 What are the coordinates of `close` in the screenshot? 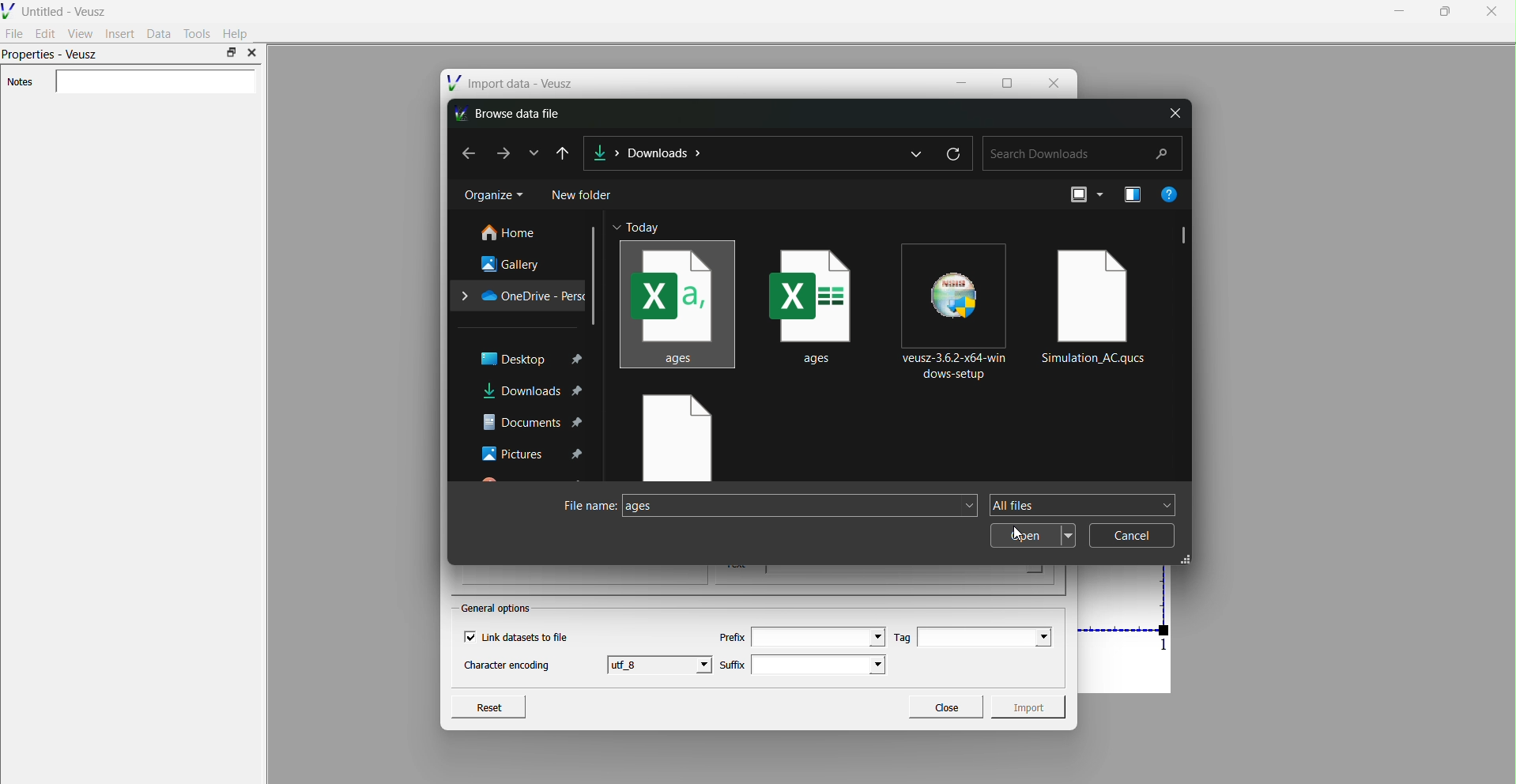 It's located at (1491, 13).